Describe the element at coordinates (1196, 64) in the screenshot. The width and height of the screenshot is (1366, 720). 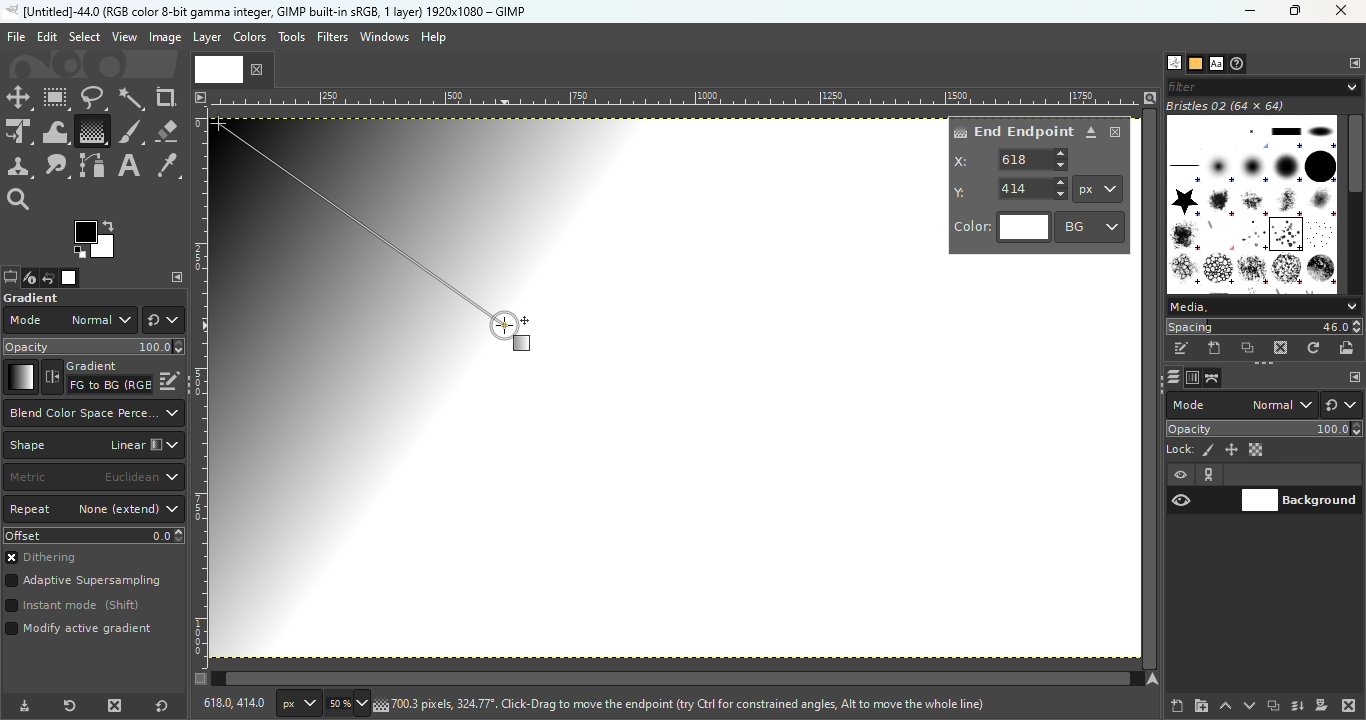
I see `Open the patterns dialog` at that location.